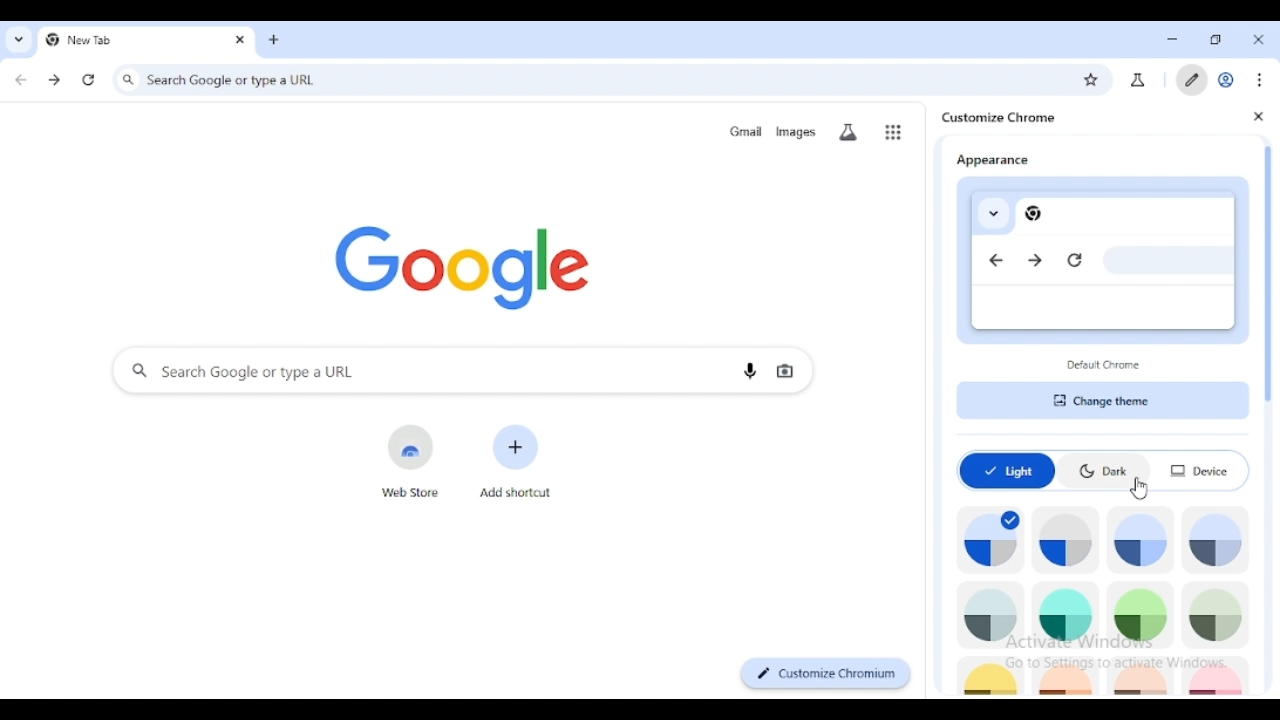 The width and height of the screenshot is (1280, 720). What do you see at coordinates (990, 540) in the screenshot?
I see `default color` at bounding box center [990, 540].